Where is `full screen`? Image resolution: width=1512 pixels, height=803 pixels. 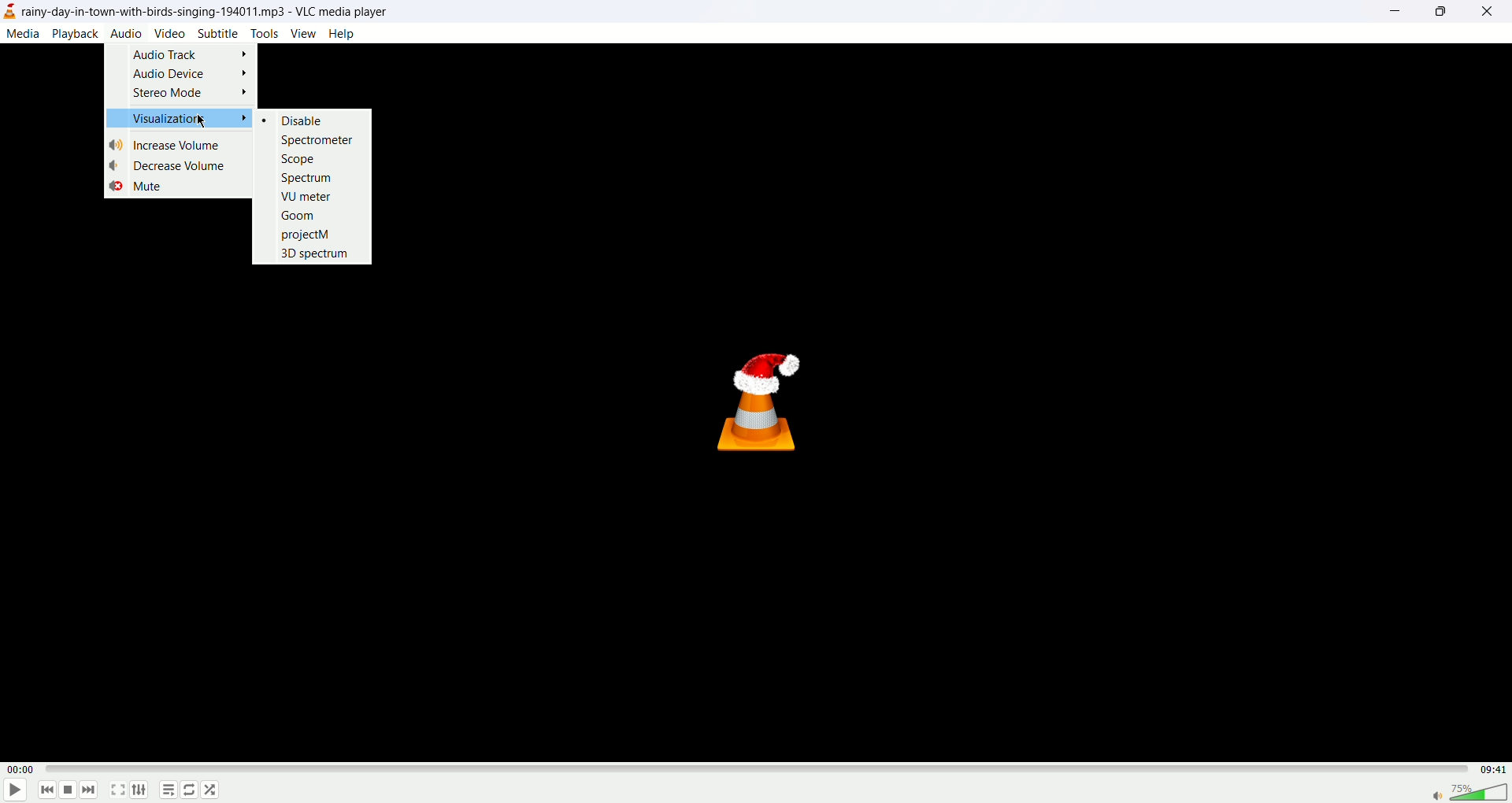
full screen is located at coordinates (119, 791).